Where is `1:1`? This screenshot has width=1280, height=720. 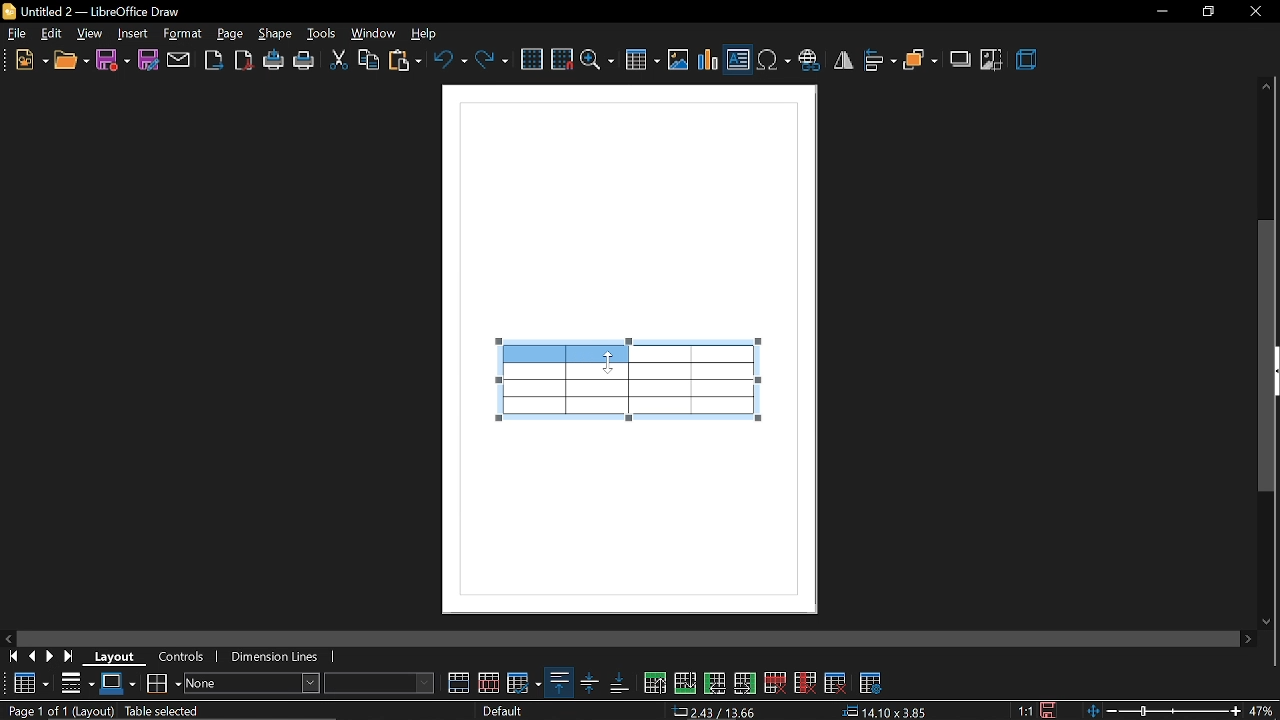 1:1 is located at coordinates (1024, 711).